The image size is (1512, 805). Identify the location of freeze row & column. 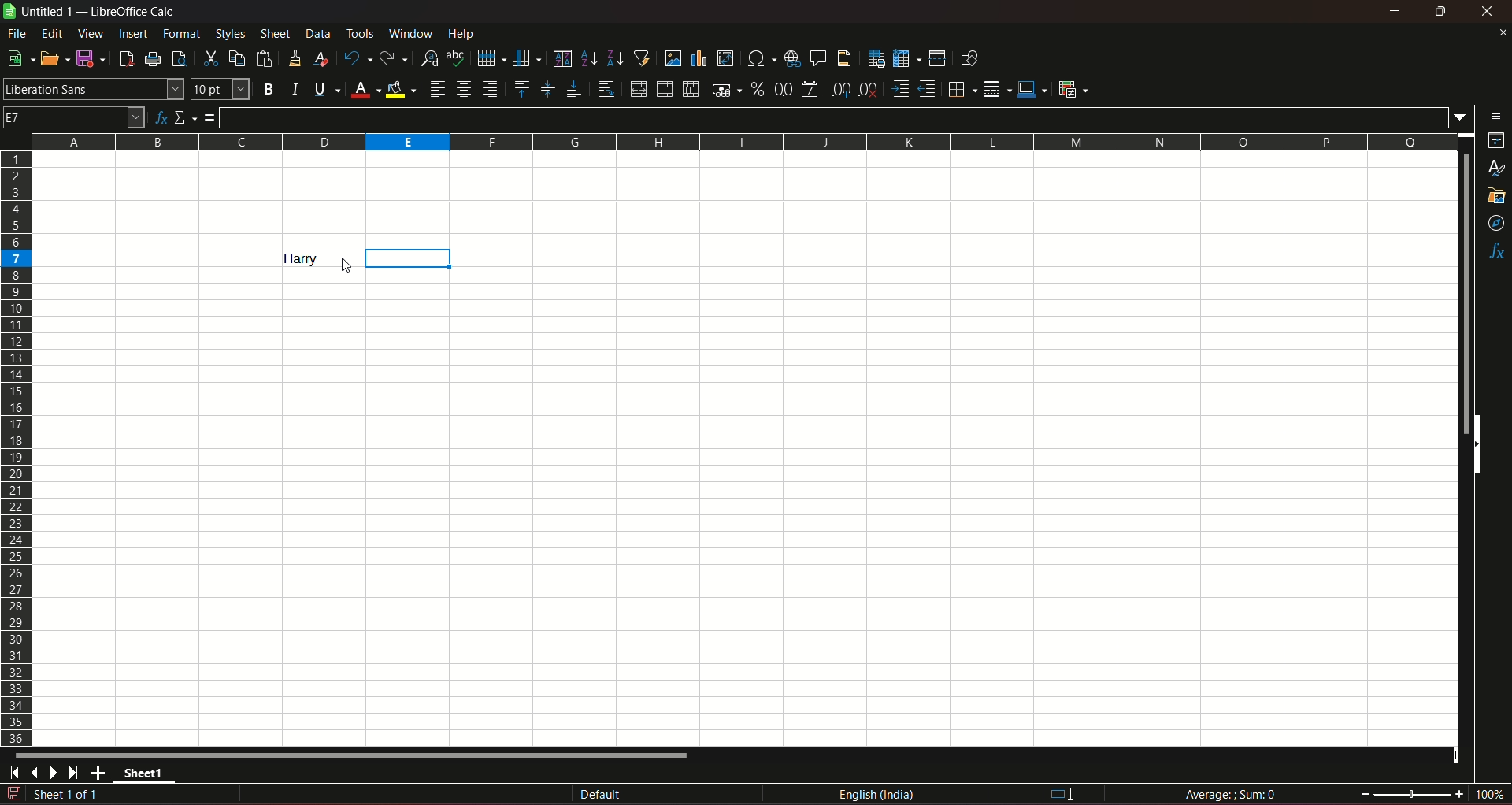
(906, 59).